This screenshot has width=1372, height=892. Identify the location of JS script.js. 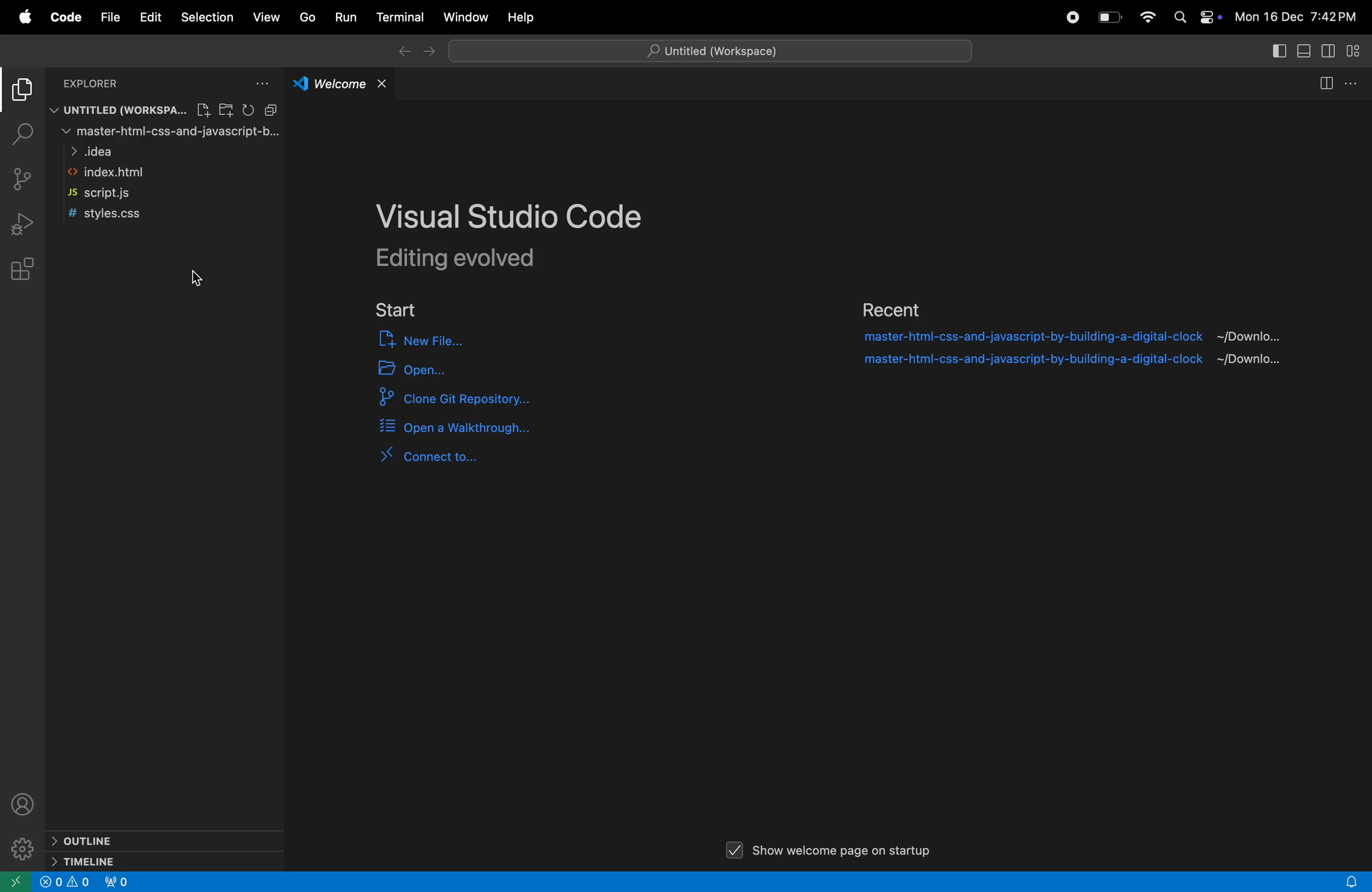
(109, 192).